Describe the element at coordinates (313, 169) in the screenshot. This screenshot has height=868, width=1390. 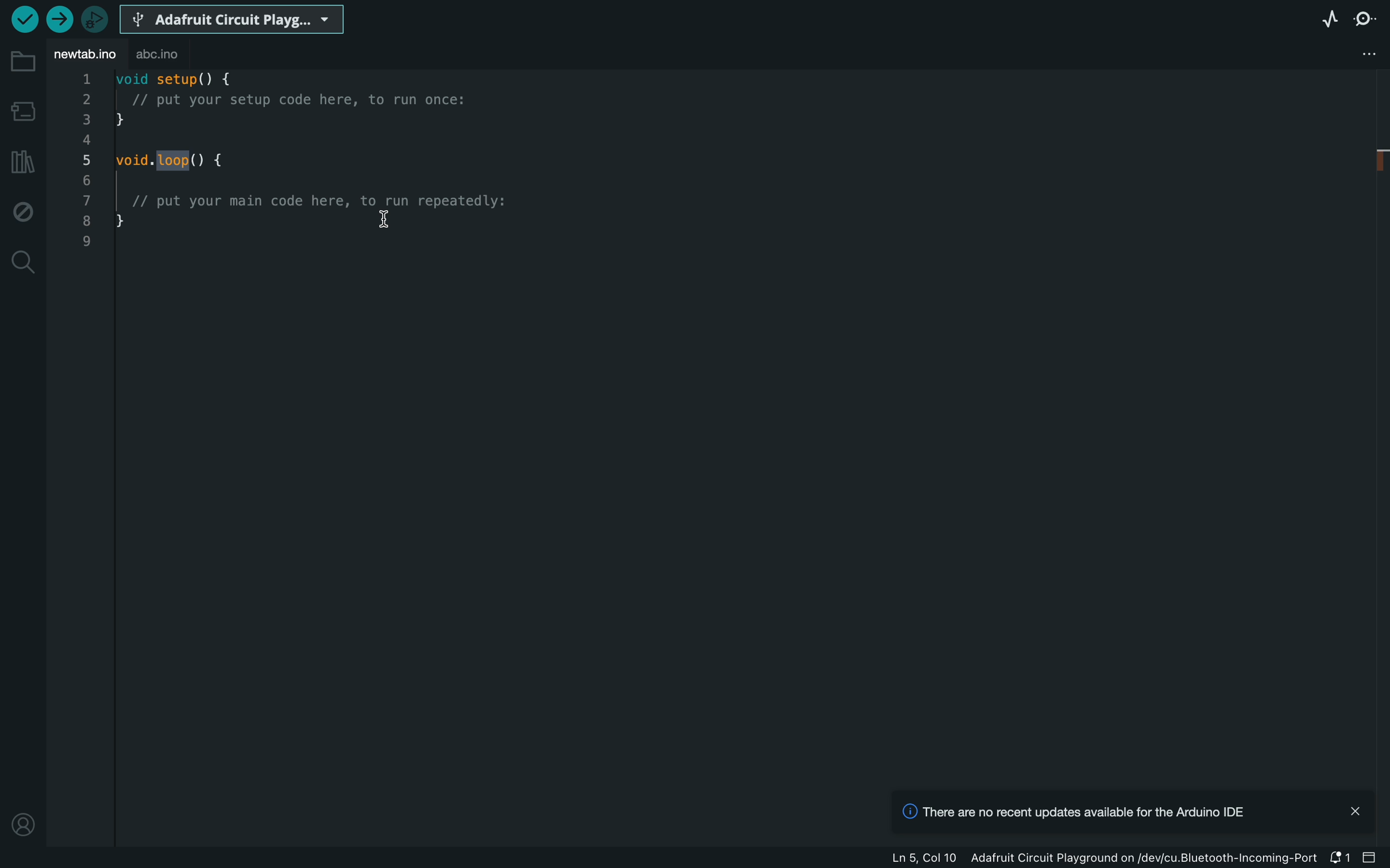
I see `code` at that location.